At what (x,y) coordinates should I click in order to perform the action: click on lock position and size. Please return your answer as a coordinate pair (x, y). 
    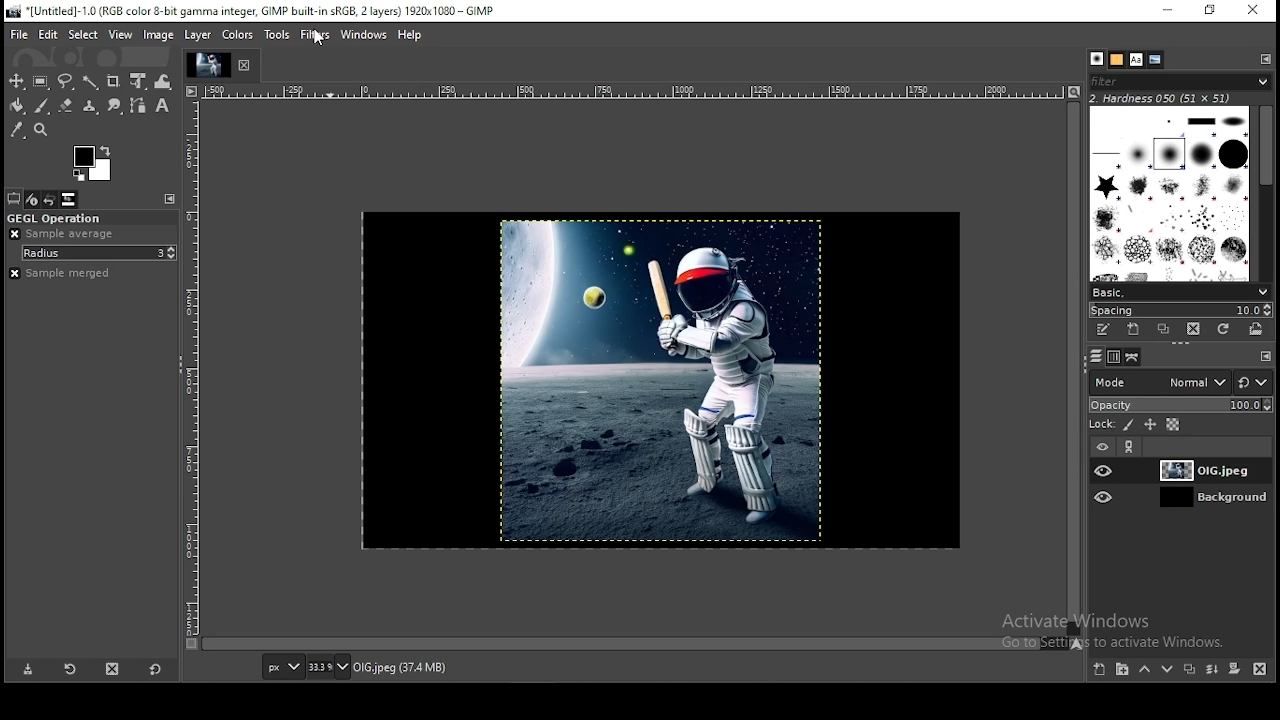
    Looking at the image, I should click on (1150, 425).